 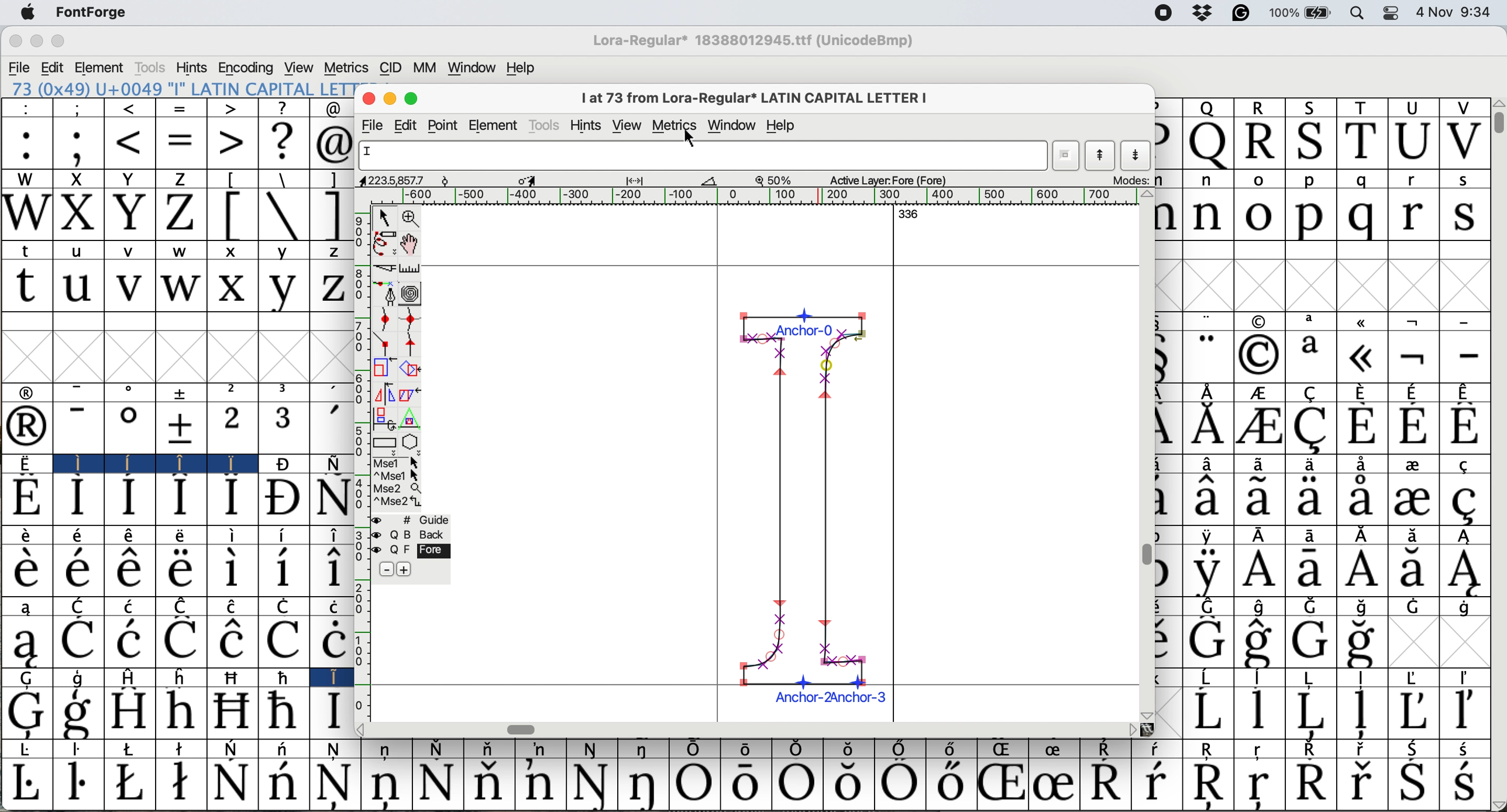 What do you see at coordinates (231, 642) in the screenshot?
I see `Symbol` at bounding box center [231, 642].